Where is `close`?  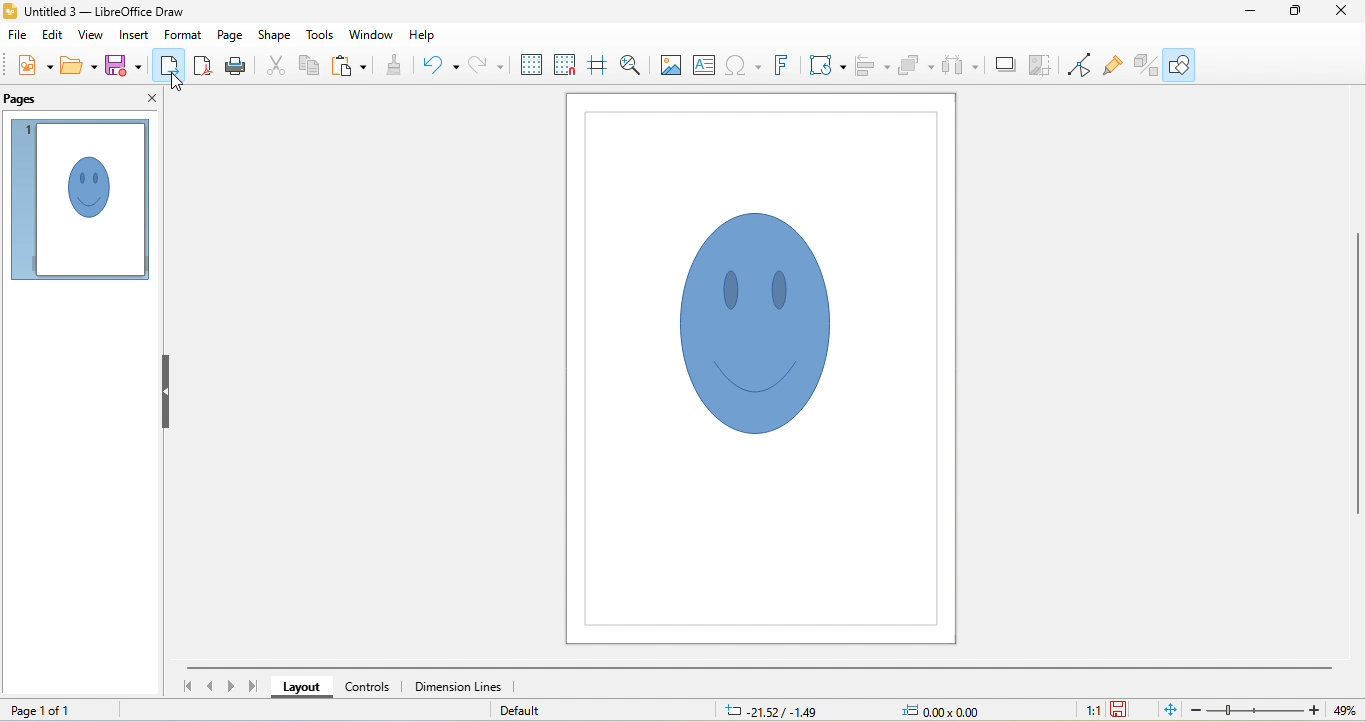
close is located at coordinates (1341, 15).